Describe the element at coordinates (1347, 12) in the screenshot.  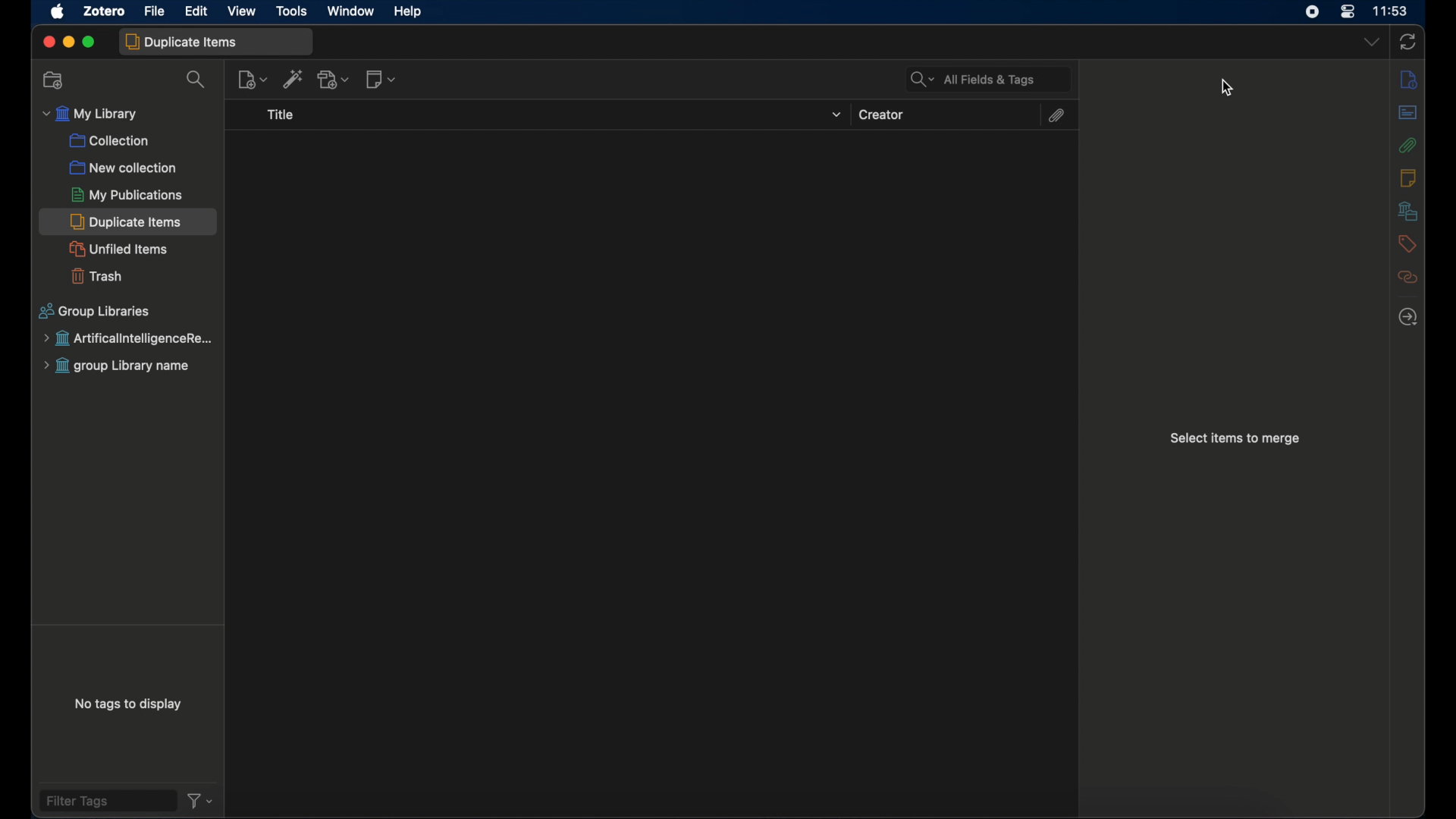
I see `control center` at that location.